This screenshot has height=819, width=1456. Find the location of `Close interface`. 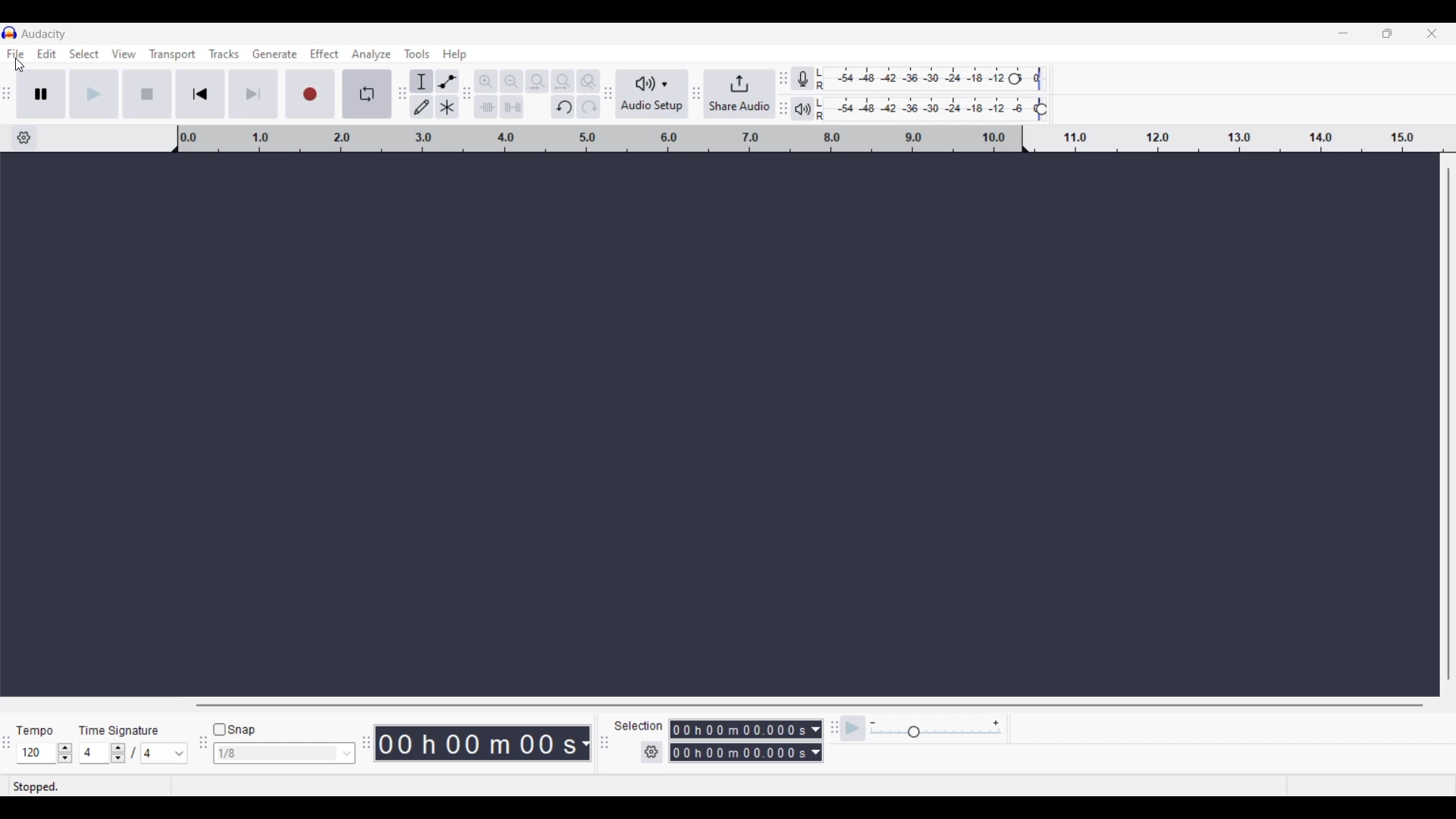

Close interface is located at coordinates (1432, 33).